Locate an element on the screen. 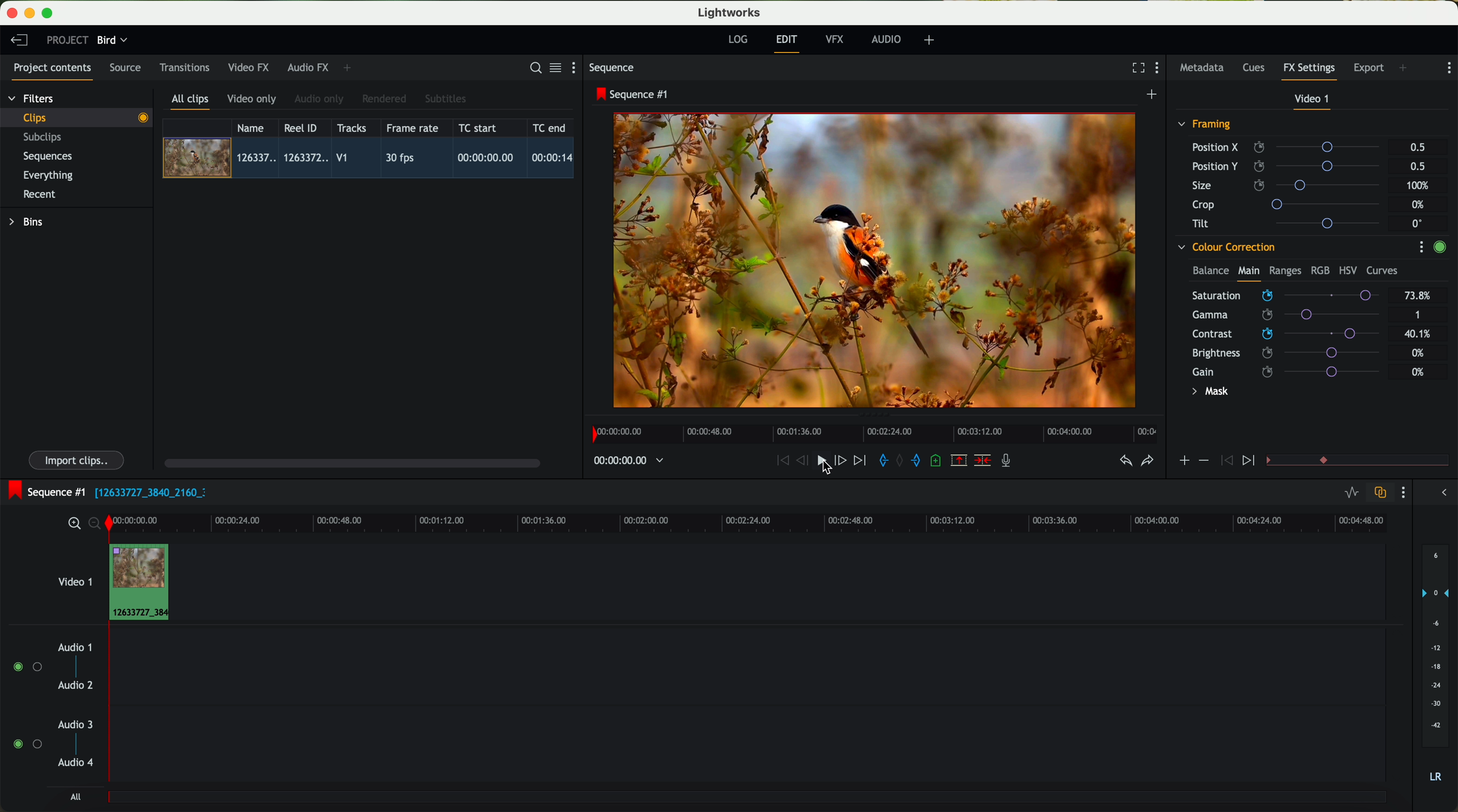 The height and width of the screenshot is (812, 1458). crop is located at coordinates (1290, 204).